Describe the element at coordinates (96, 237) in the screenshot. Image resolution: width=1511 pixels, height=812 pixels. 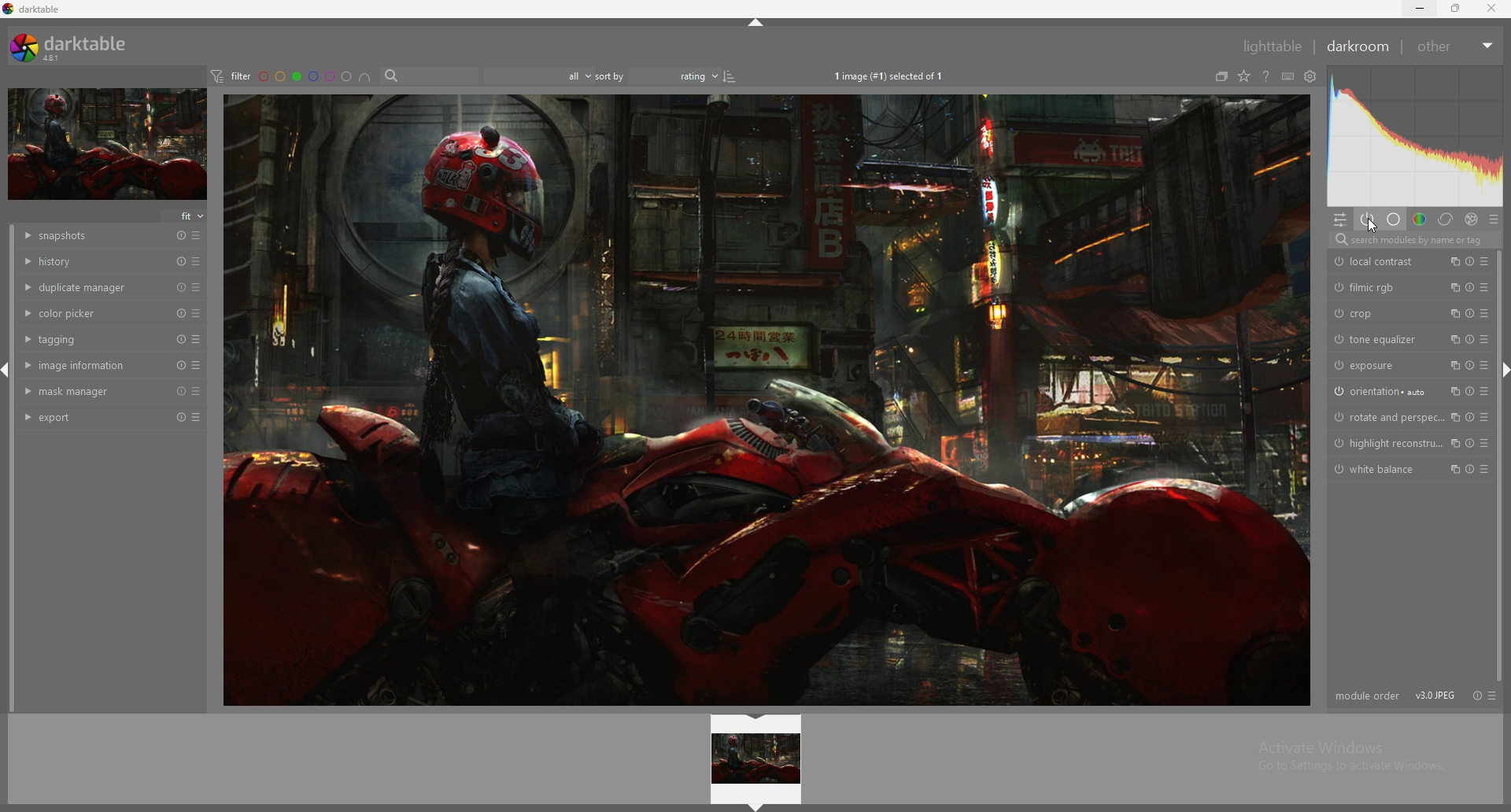
I see `snapshots` at that location.